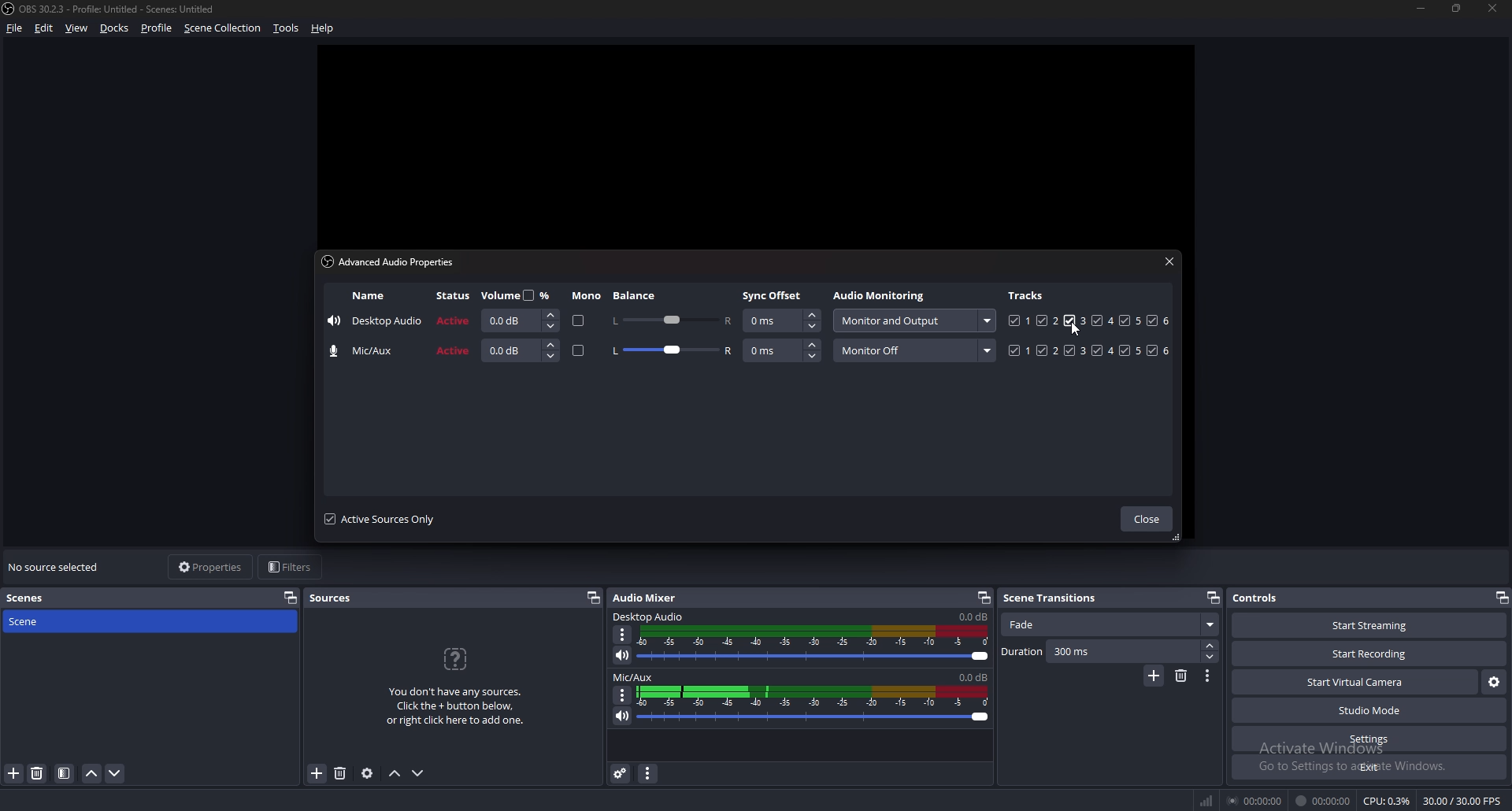  Describe the element at coordinates (366, 774) in the screenshot. I see `source properties` at that location.